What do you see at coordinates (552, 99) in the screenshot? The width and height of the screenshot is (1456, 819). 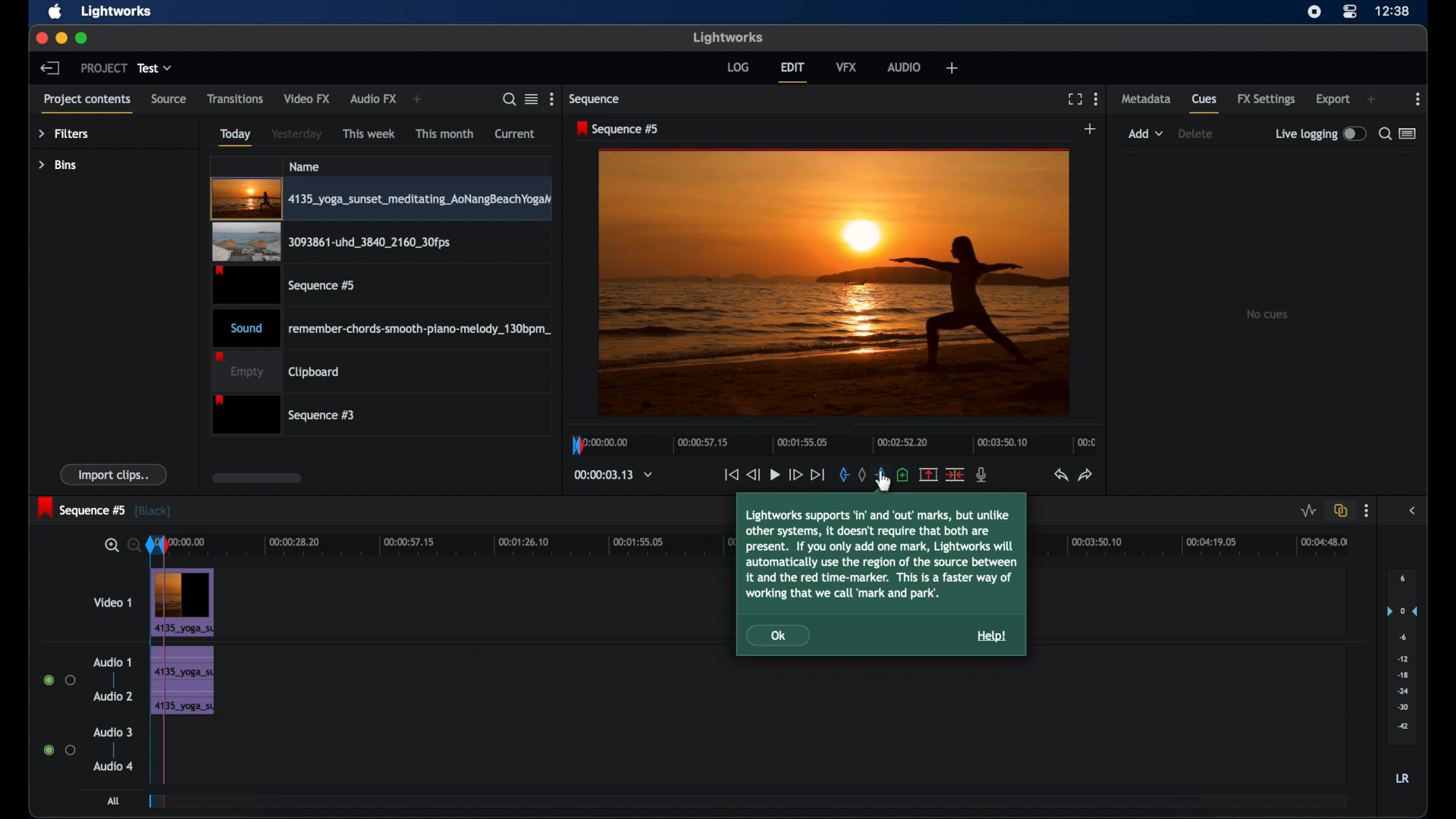 I see `more options` at bounding box center [552, 99].